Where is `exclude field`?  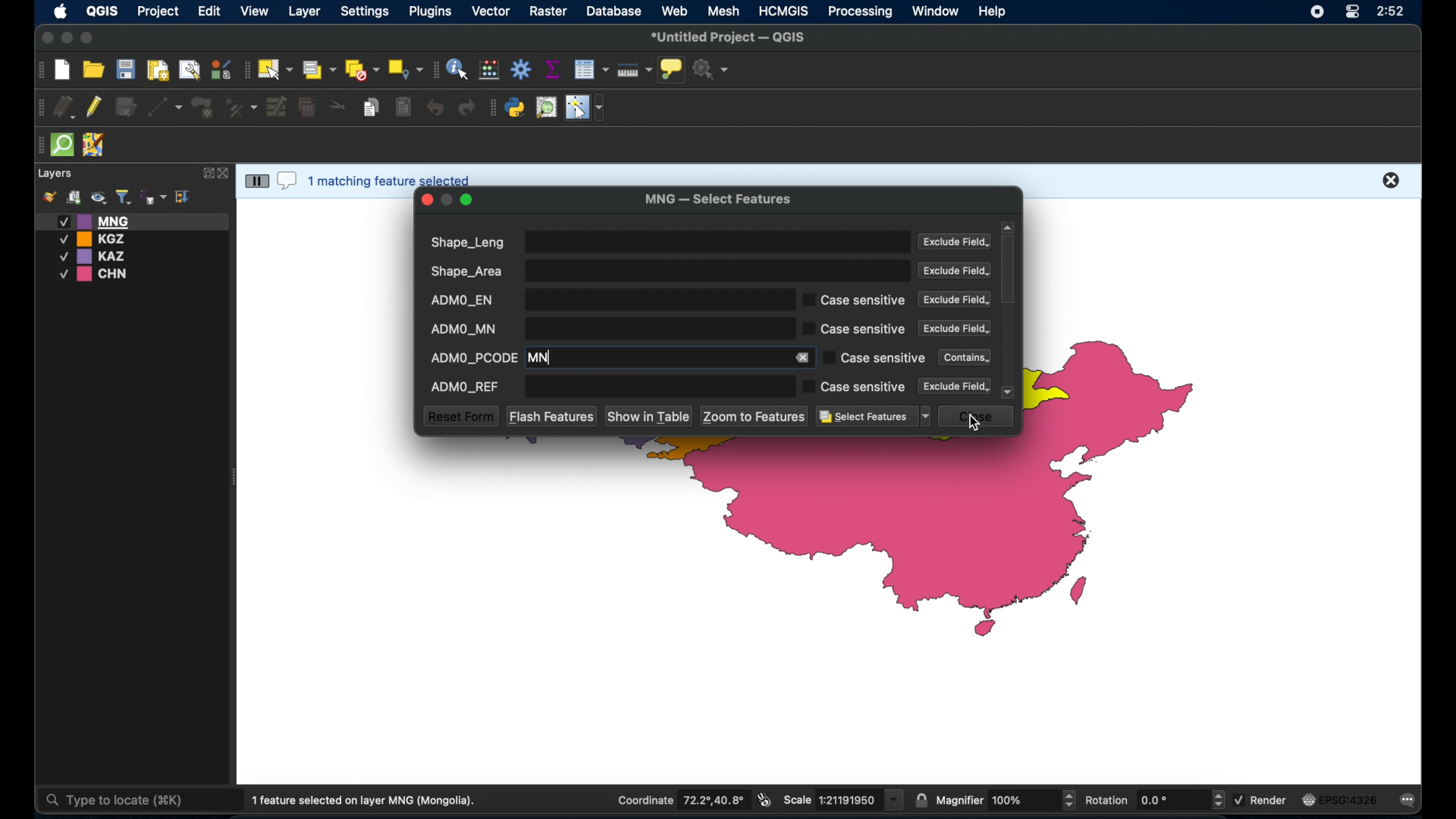
exclude field is located at coordinates (956, 386).